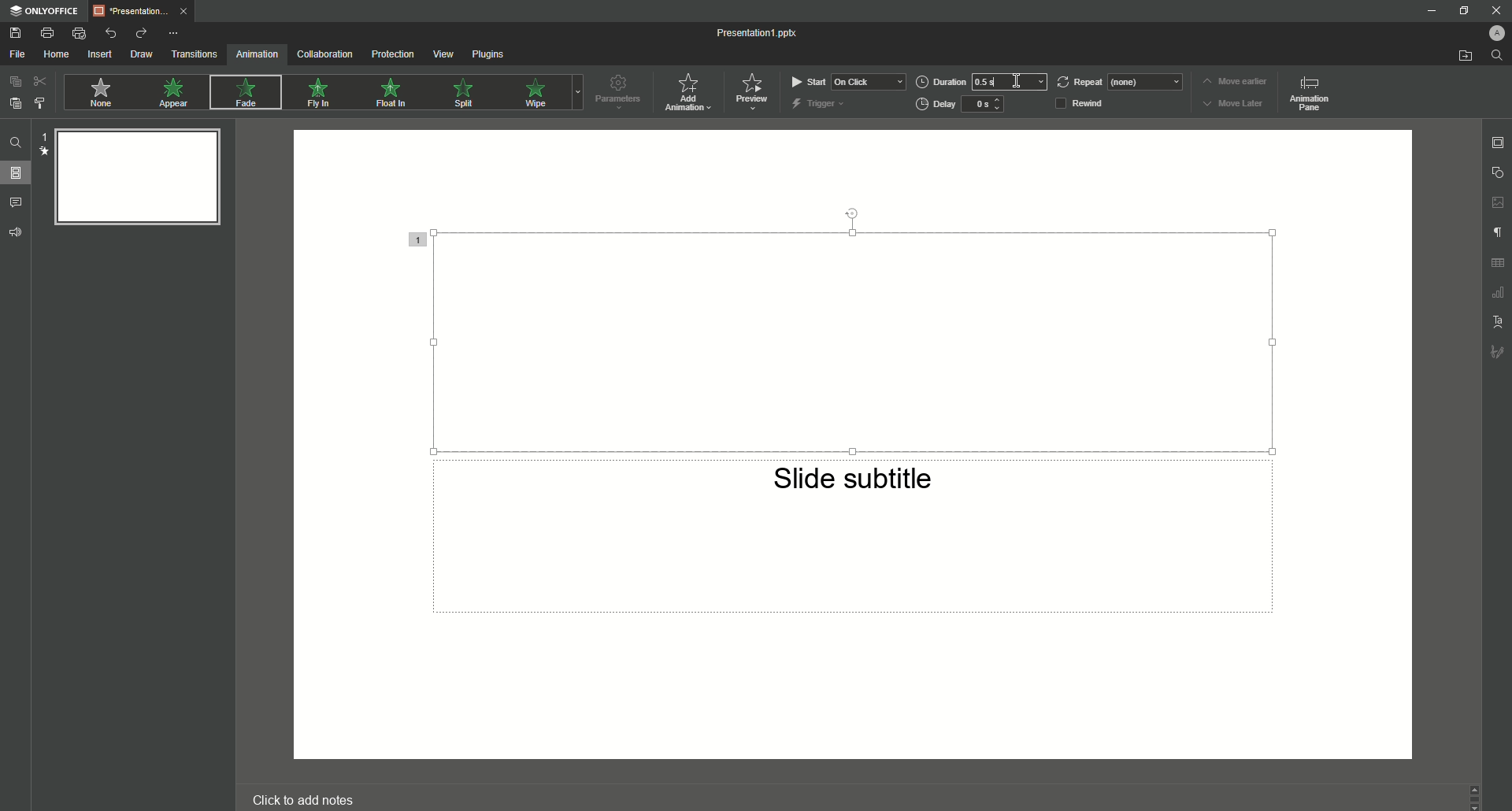 The image size is (1512, 811). Describe the element at coordinates (751, 91) in the screenshot. I see `Preview` at that location.